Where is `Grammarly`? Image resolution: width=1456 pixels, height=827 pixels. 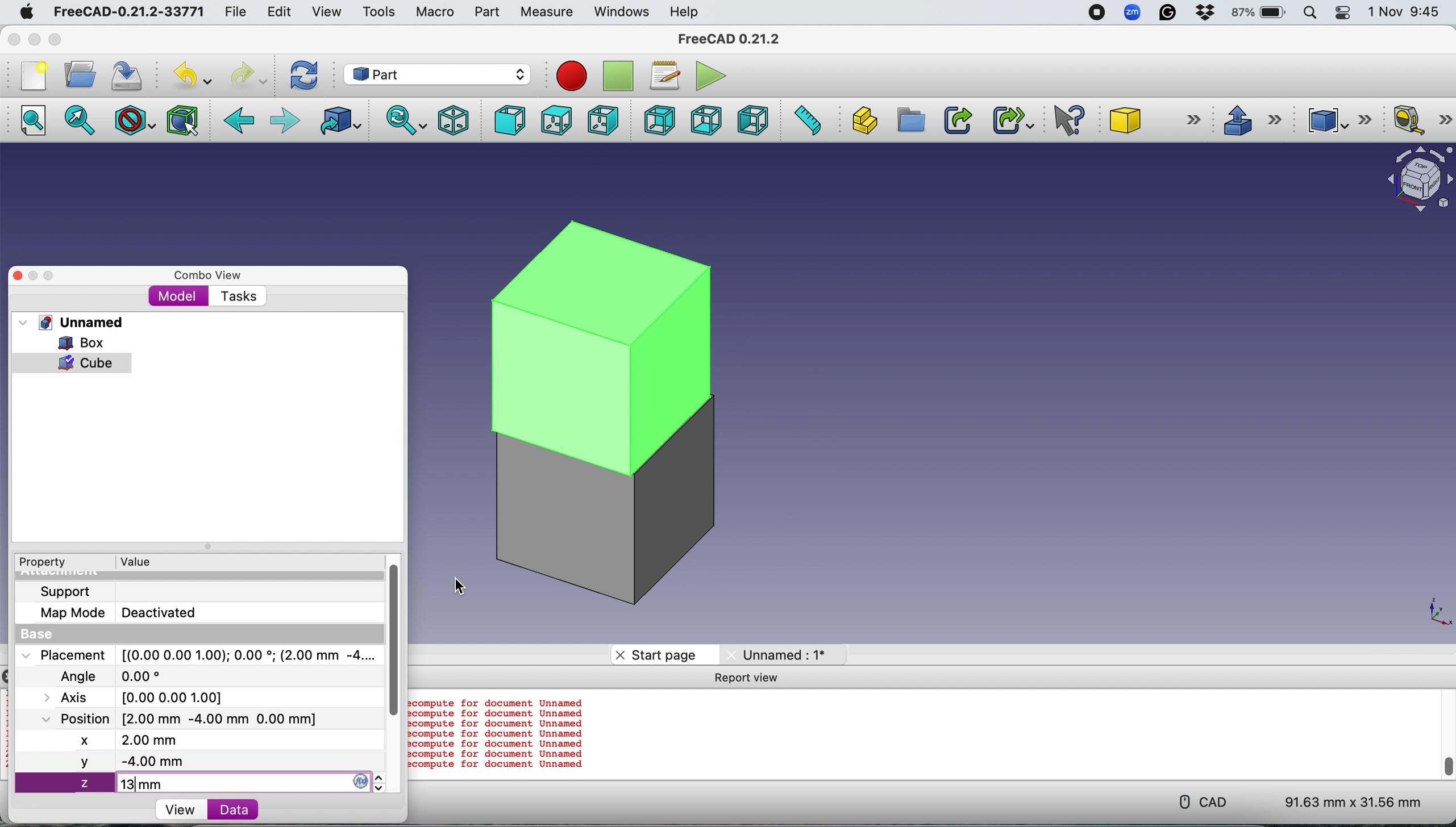 Grammarly is located at coordinates (1169, 12).